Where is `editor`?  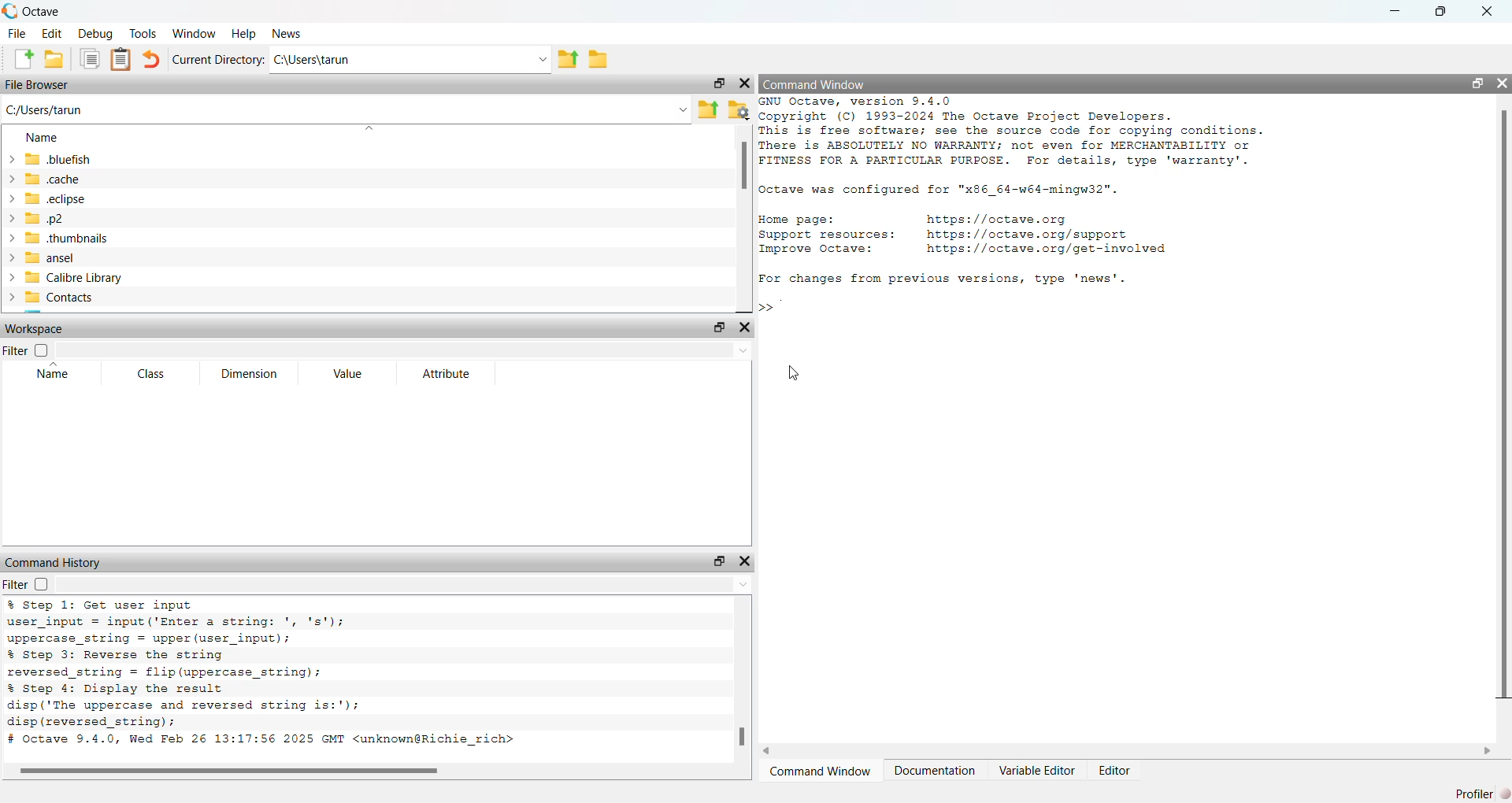
editor is located at coordinates (1114, 772).